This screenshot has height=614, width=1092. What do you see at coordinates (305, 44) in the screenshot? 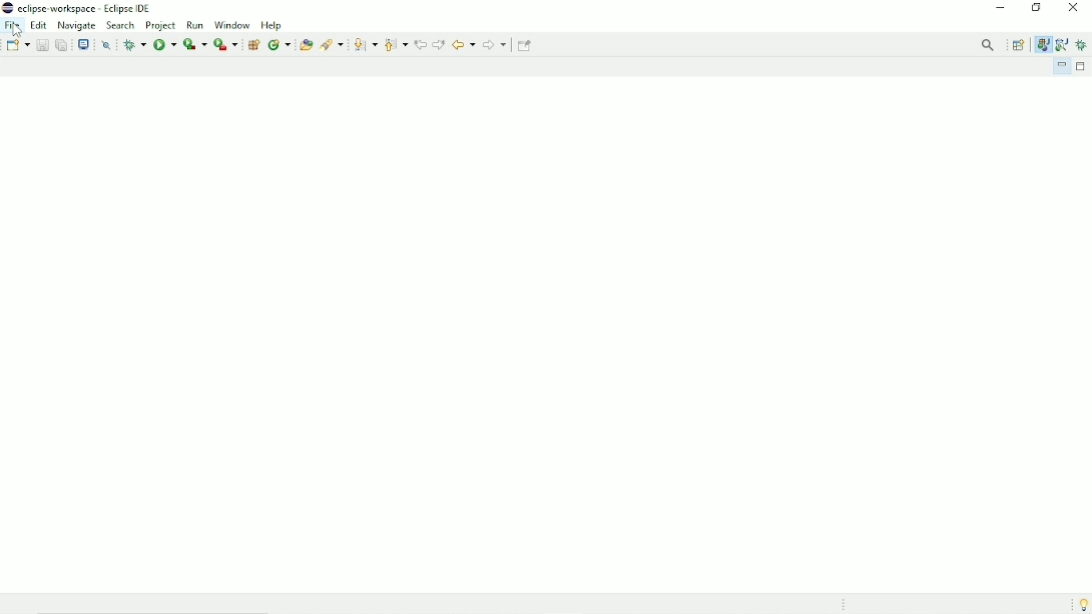
I see `Open type` at bounding box center [305, 44].